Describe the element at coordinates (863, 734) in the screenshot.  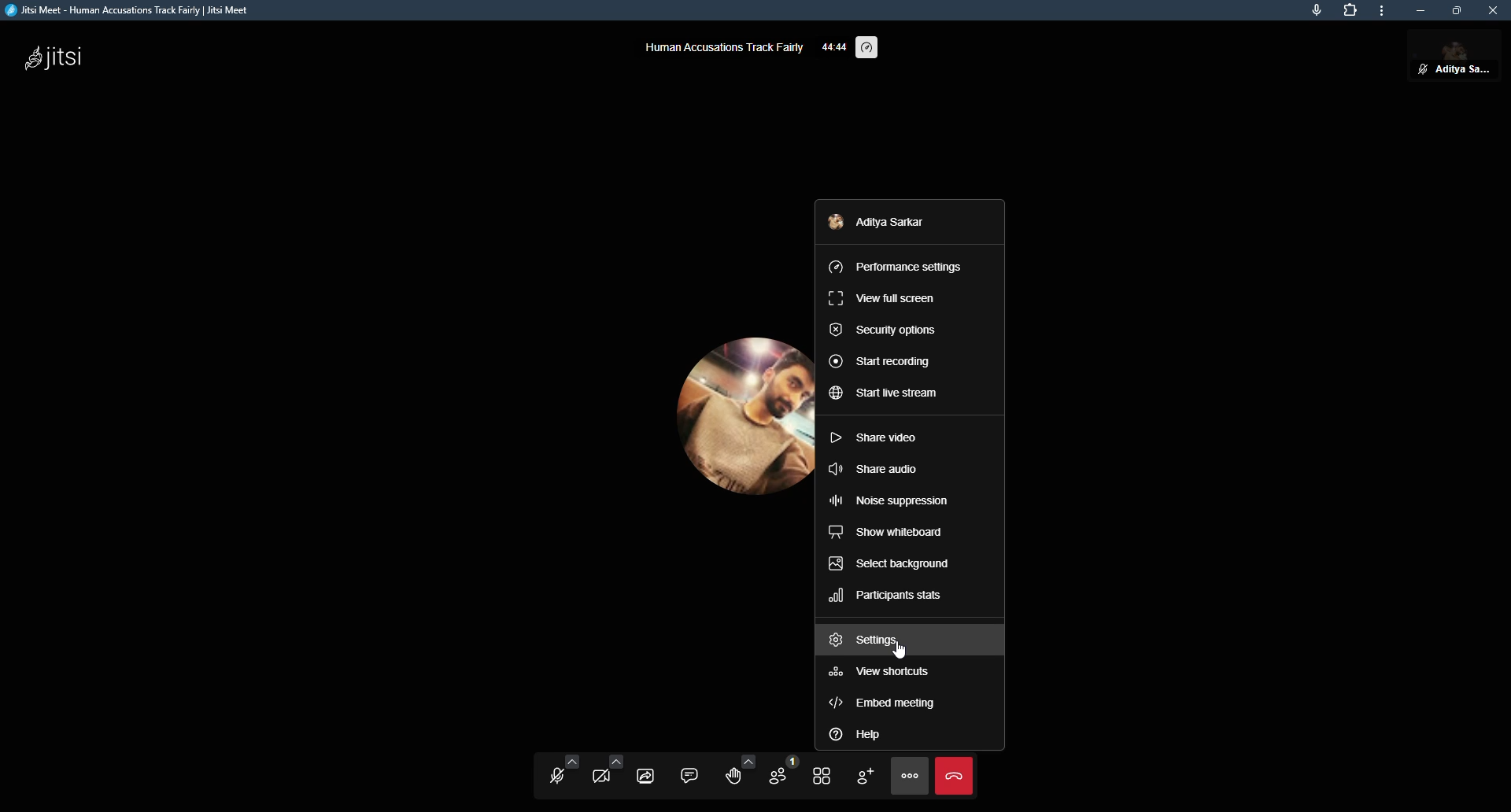
I see `help` at that location.